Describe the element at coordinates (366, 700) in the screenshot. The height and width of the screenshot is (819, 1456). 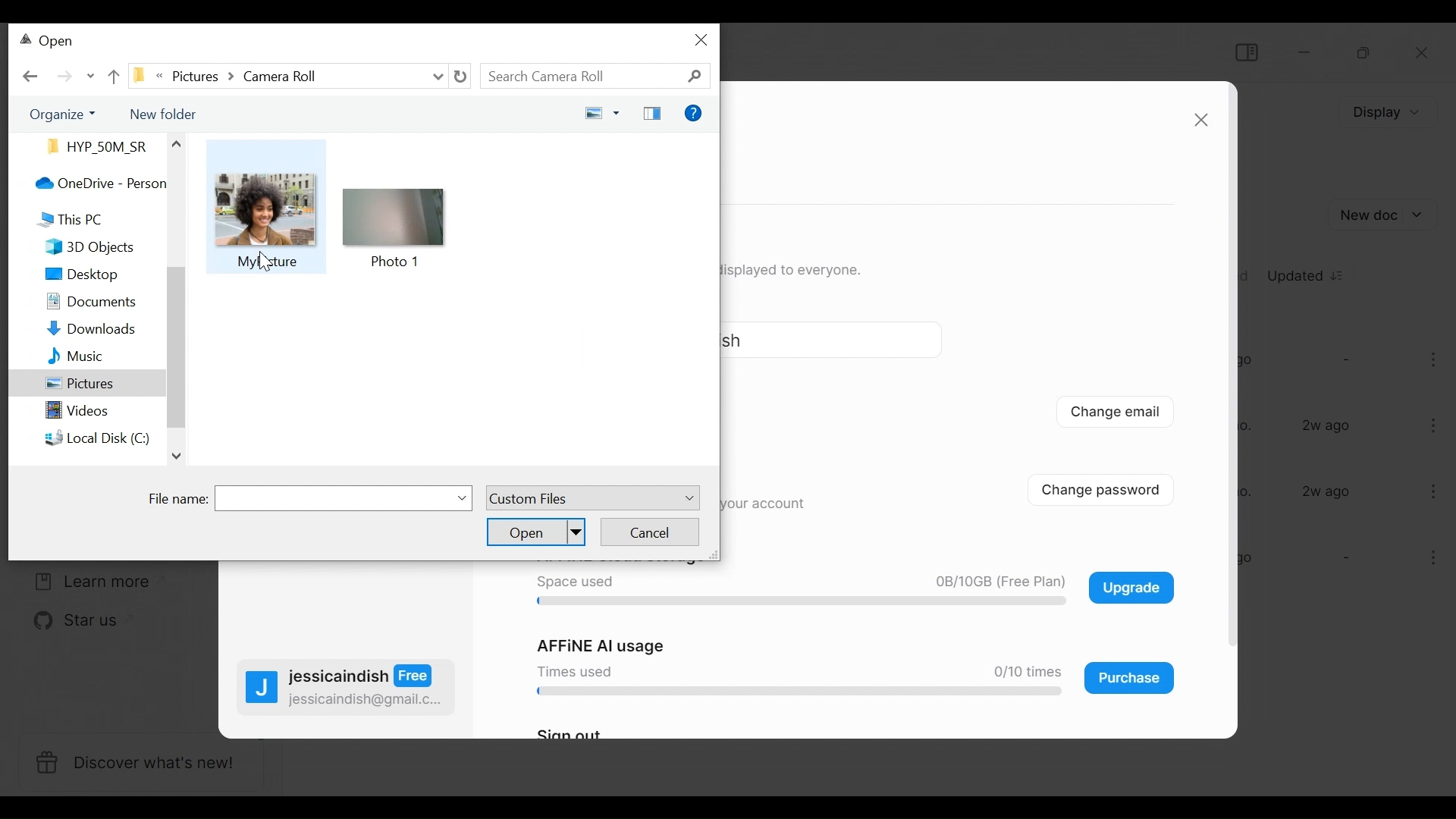
I see `jessicaindish@gmail.c...` at that location.